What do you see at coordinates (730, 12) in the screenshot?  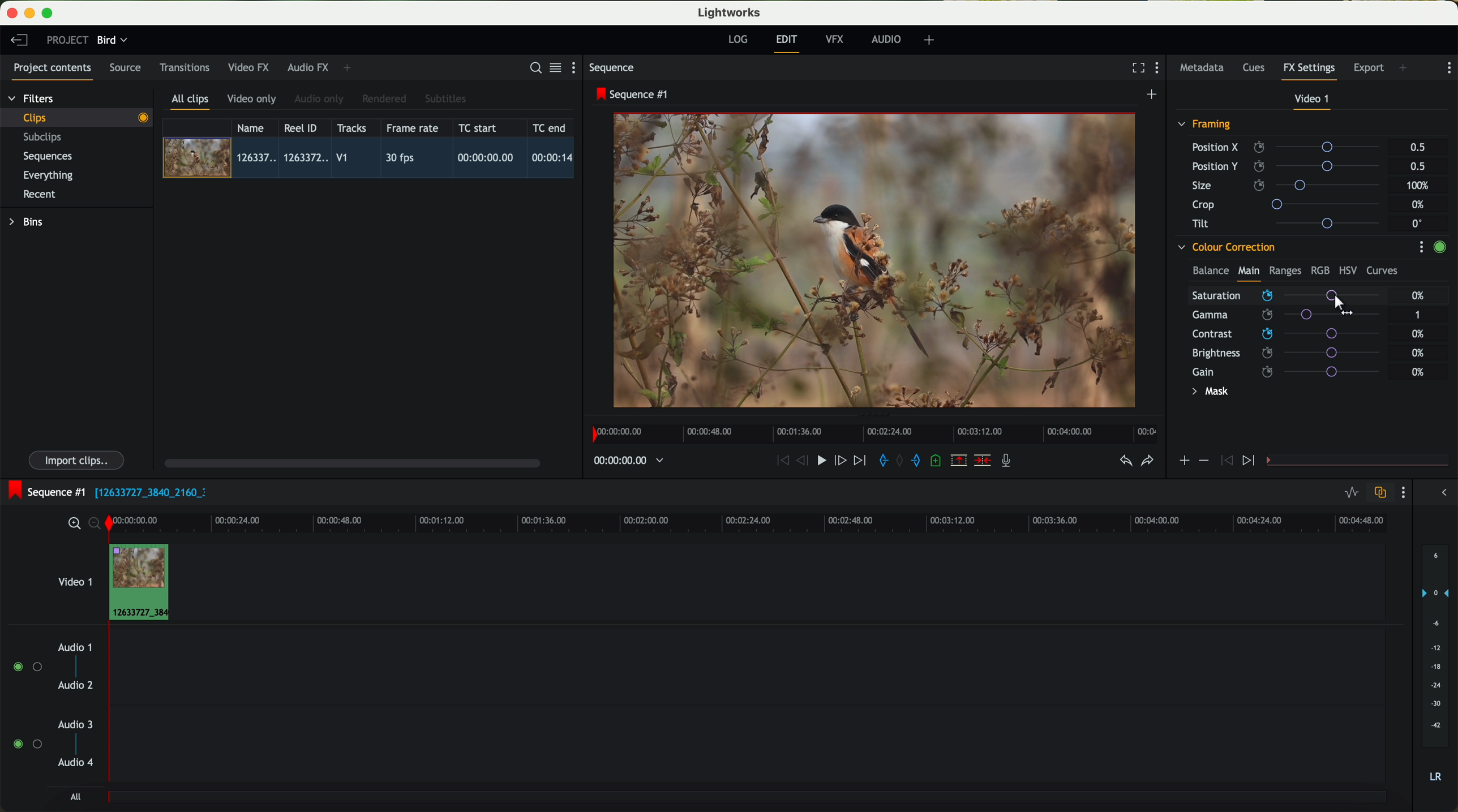 I see `Lightworks` at bounding box center [730, 12].